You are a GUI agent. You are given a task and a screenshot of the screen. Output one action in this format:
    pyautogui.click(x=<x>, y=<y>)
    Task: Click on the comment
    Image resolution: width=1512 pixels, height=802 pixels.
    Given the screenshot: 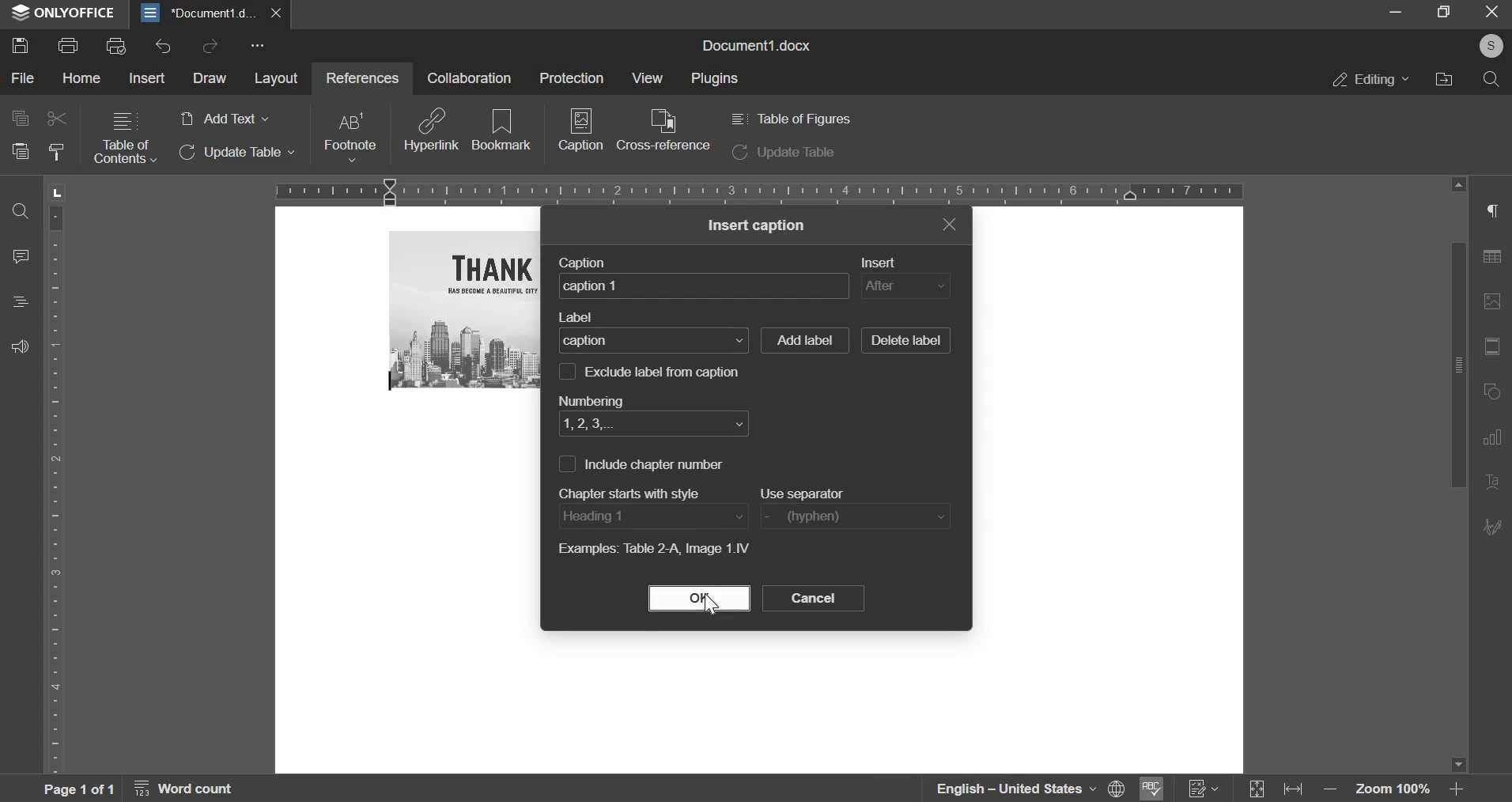 What is the action you would take?
    pyautogui.click(x=22, y=255)
    